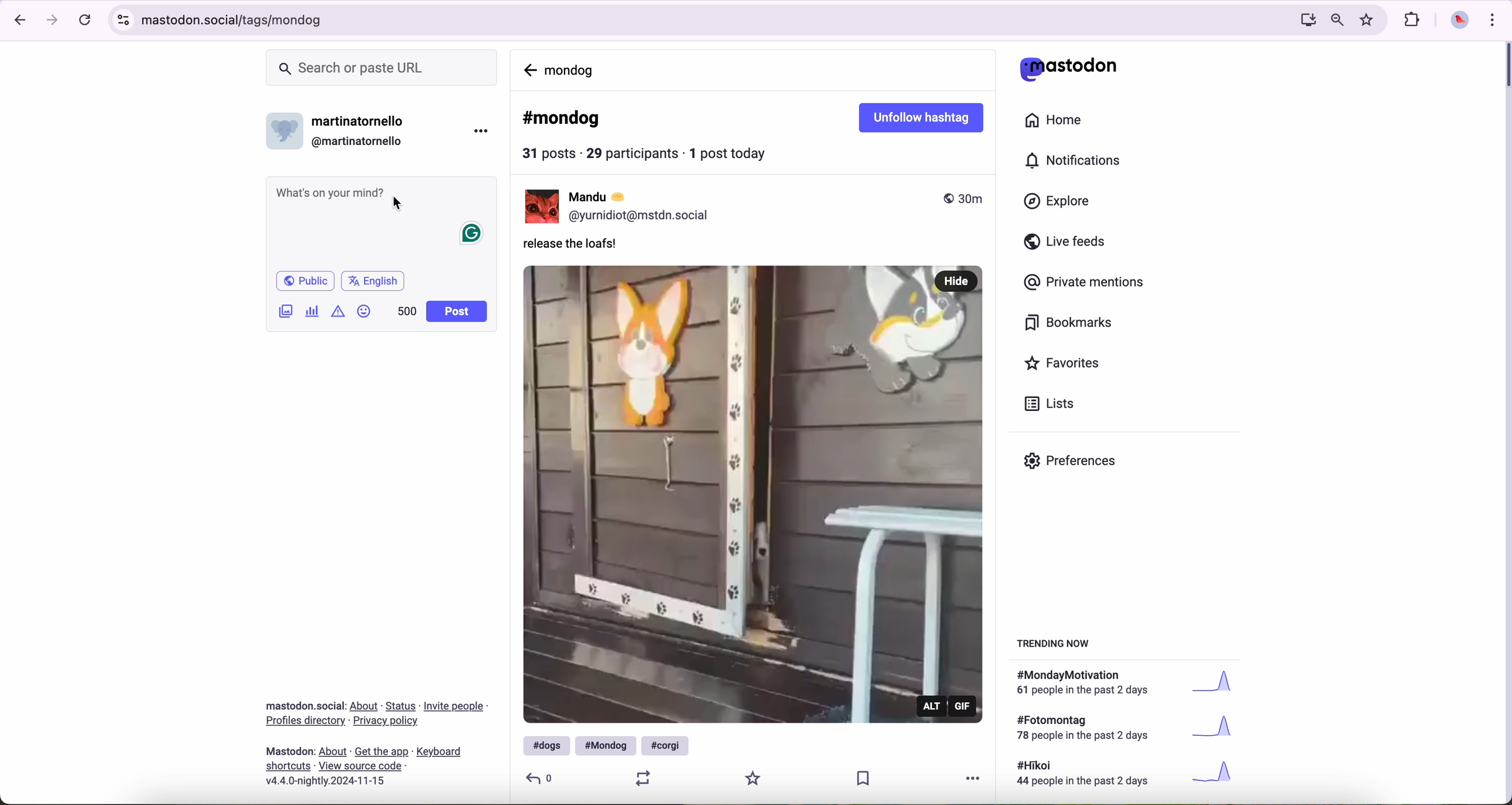  What do you see at coordinates (382, 753) in the screenshot?
I see `link` at bounding box center [382, 753].